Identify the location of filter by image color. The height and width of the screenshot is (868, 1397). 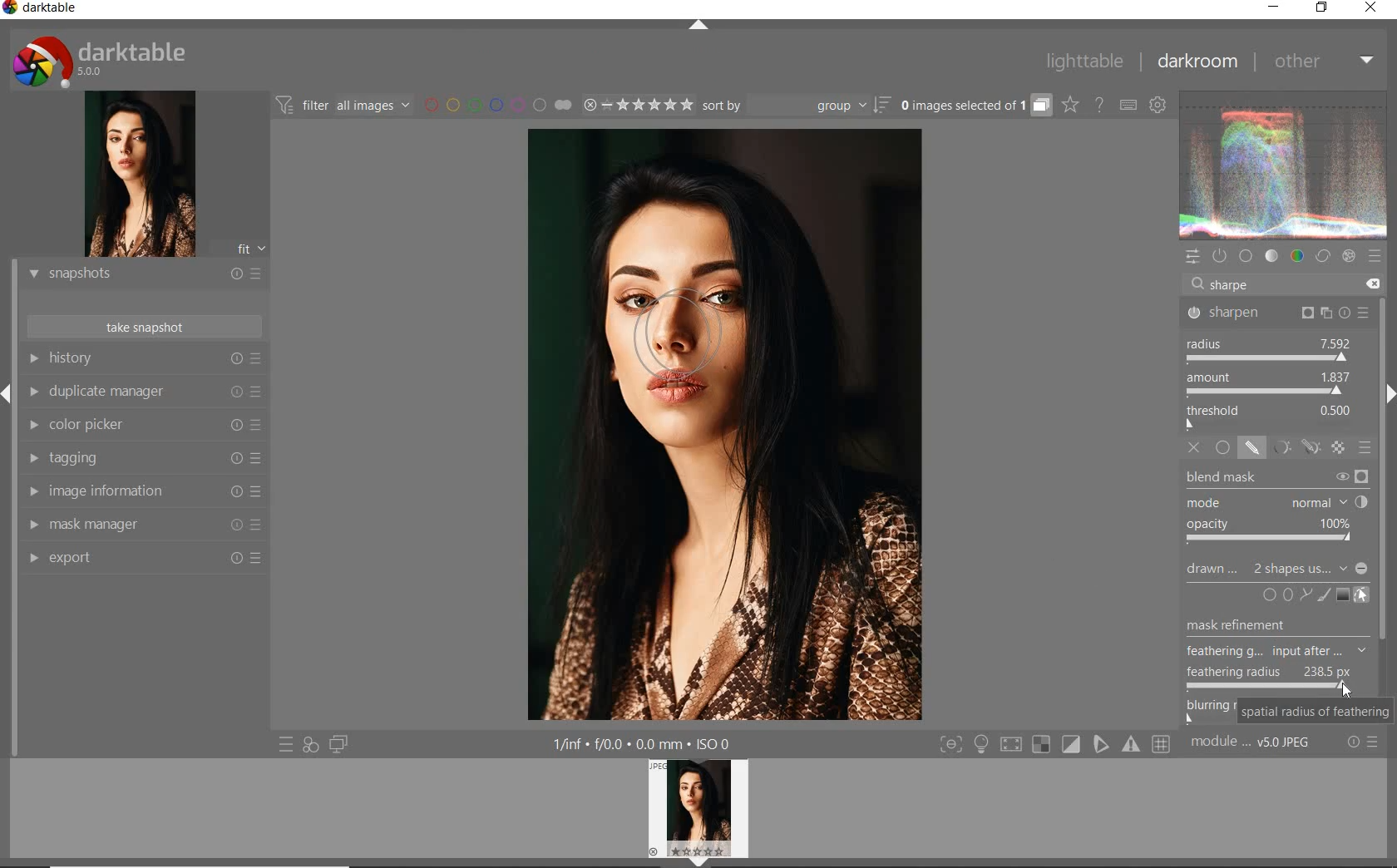
(497, 104).